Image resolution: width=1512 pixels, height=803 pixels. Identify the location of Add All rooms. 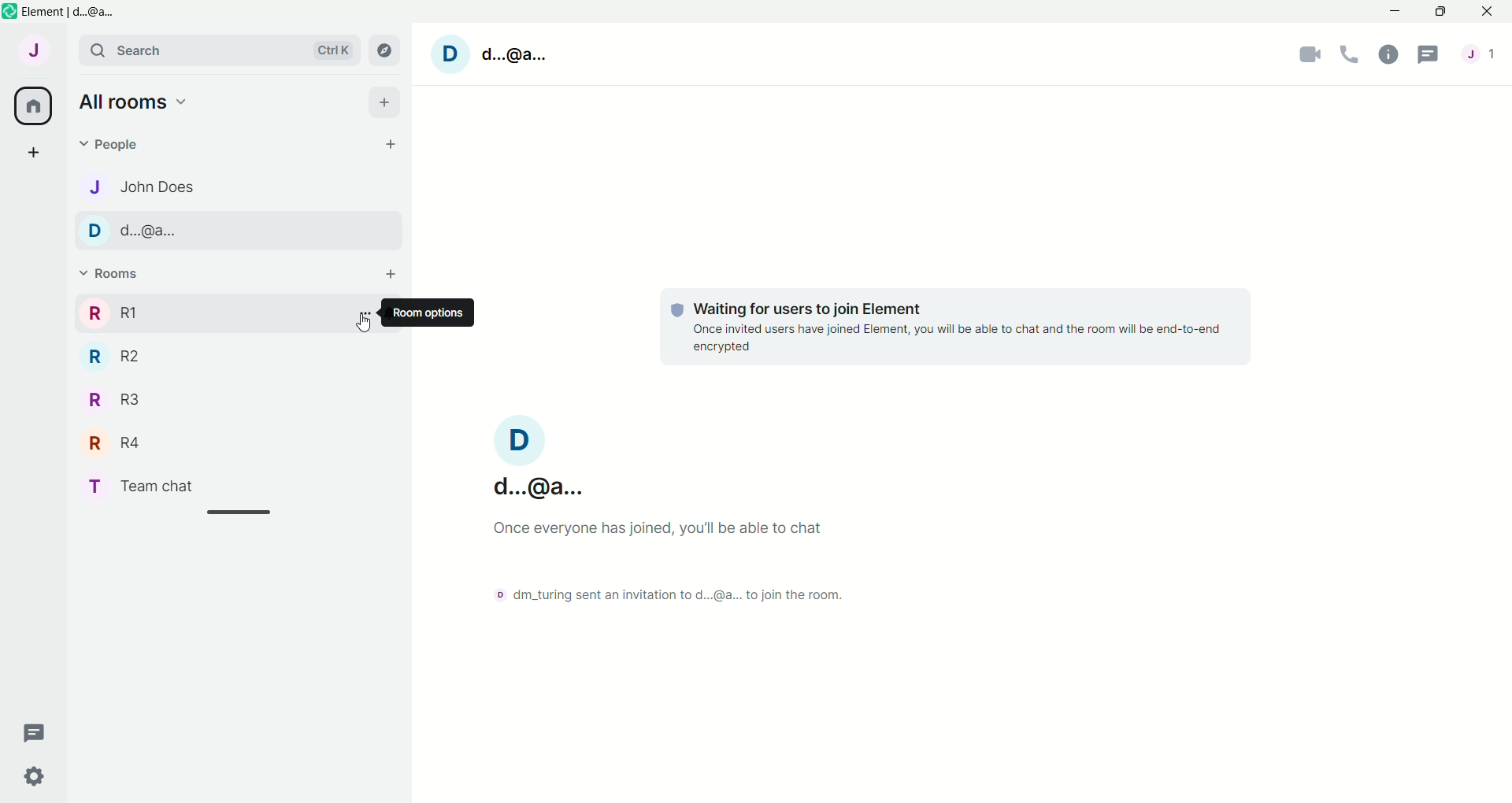
(384, 101).